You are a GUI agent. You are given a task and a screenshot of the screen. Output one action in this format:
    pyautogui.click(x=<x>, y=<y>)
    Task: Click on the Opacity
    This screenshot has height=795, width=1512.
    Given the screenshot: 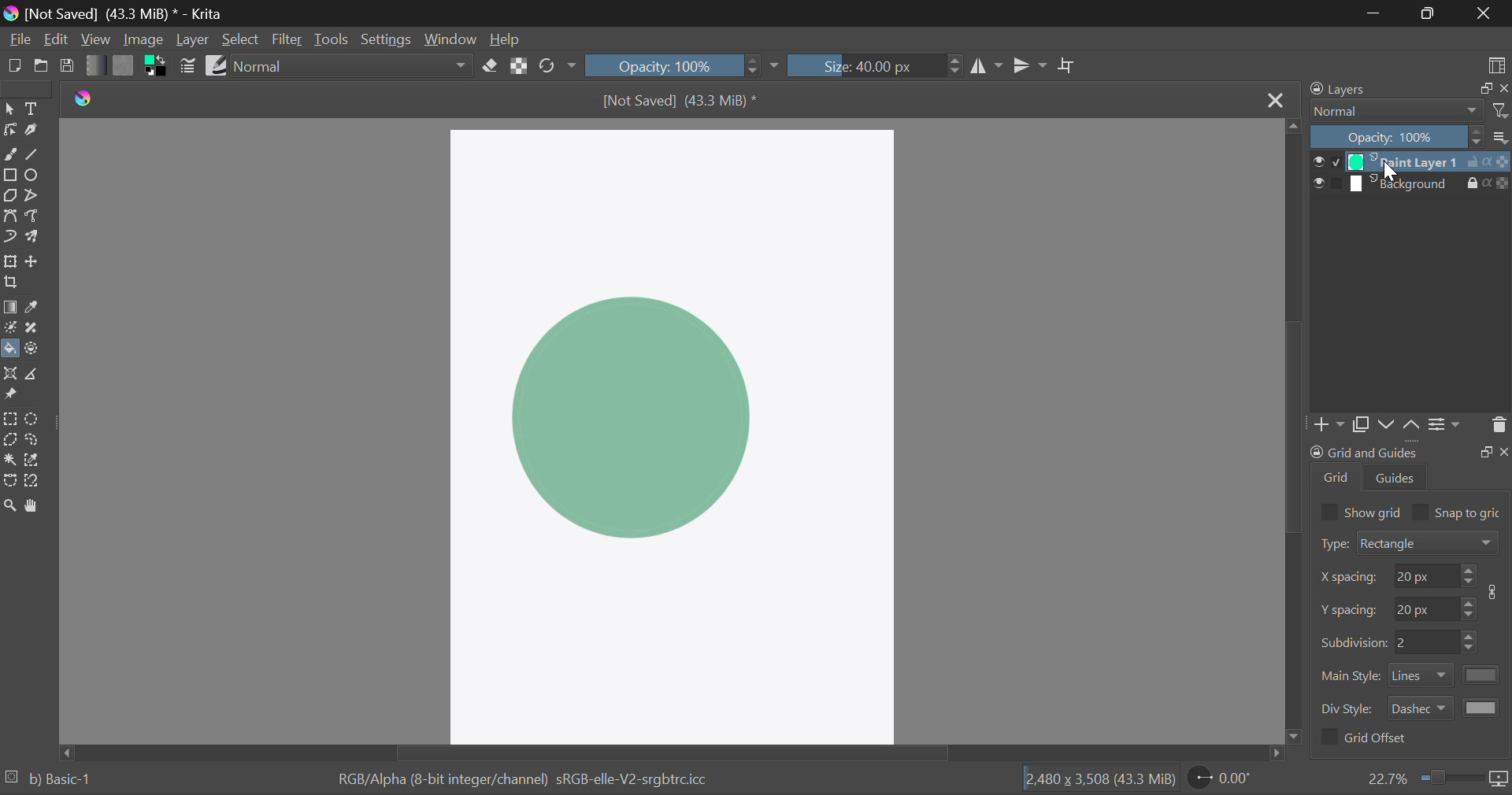 What is the action you would take?
    pyautogui.click(x=1411, y=138)
    